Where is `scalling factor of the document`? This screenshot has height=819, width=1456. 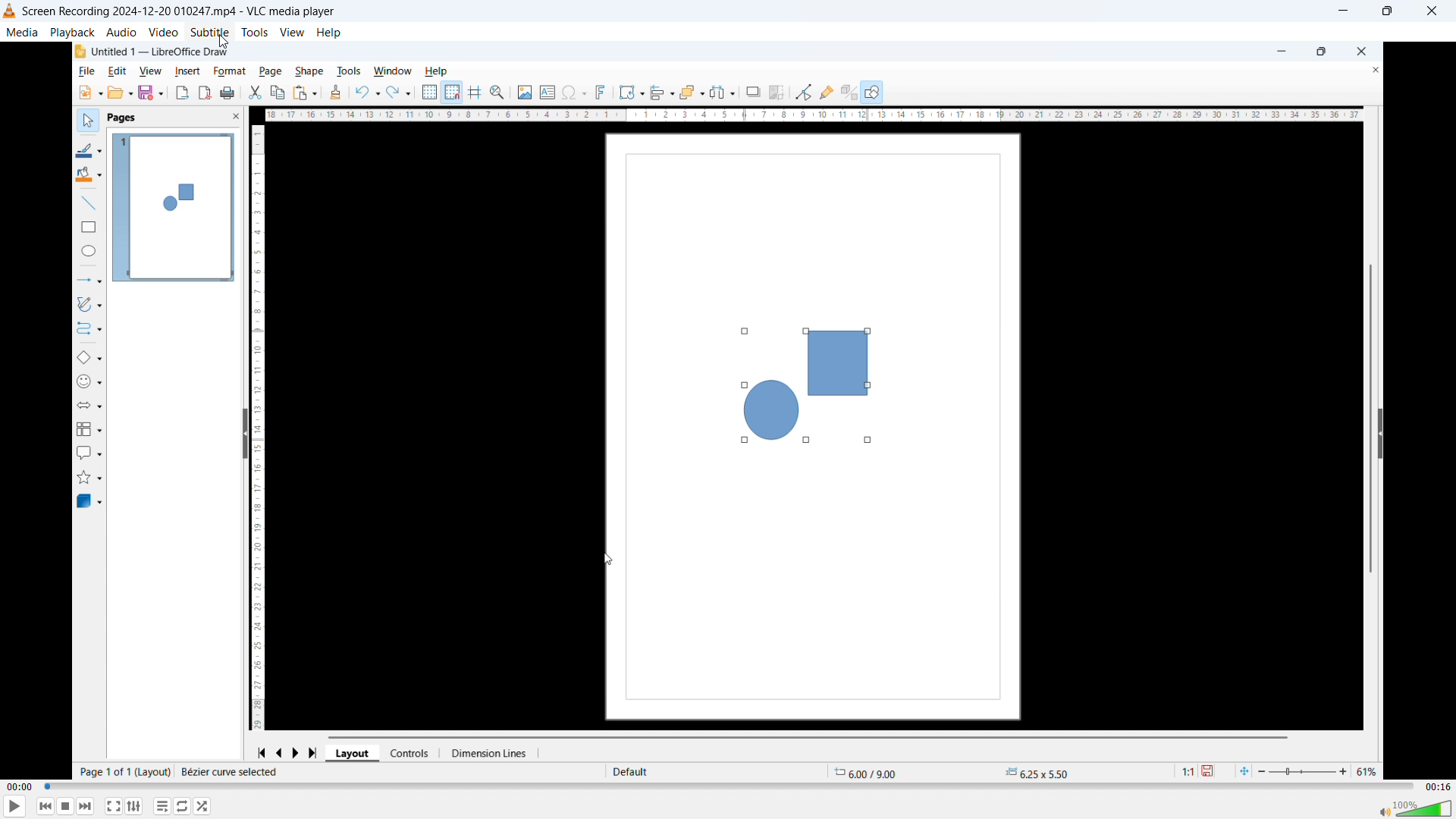 scalling factor of the document is located at coordinates (1184, 773).